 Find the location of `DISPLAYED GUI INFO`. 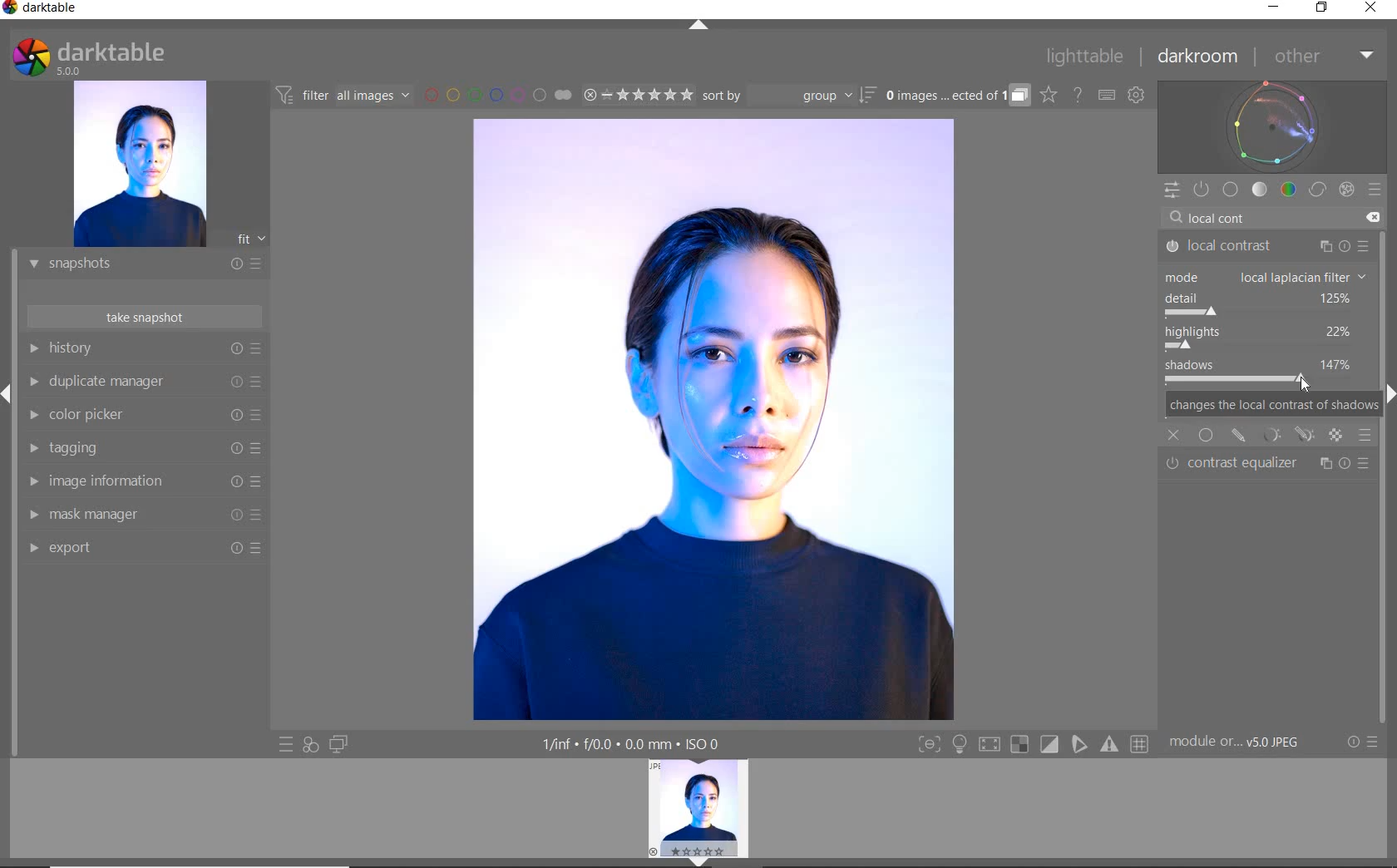

DISPLAYED GUI INFO is located at coordinates (628, 744).